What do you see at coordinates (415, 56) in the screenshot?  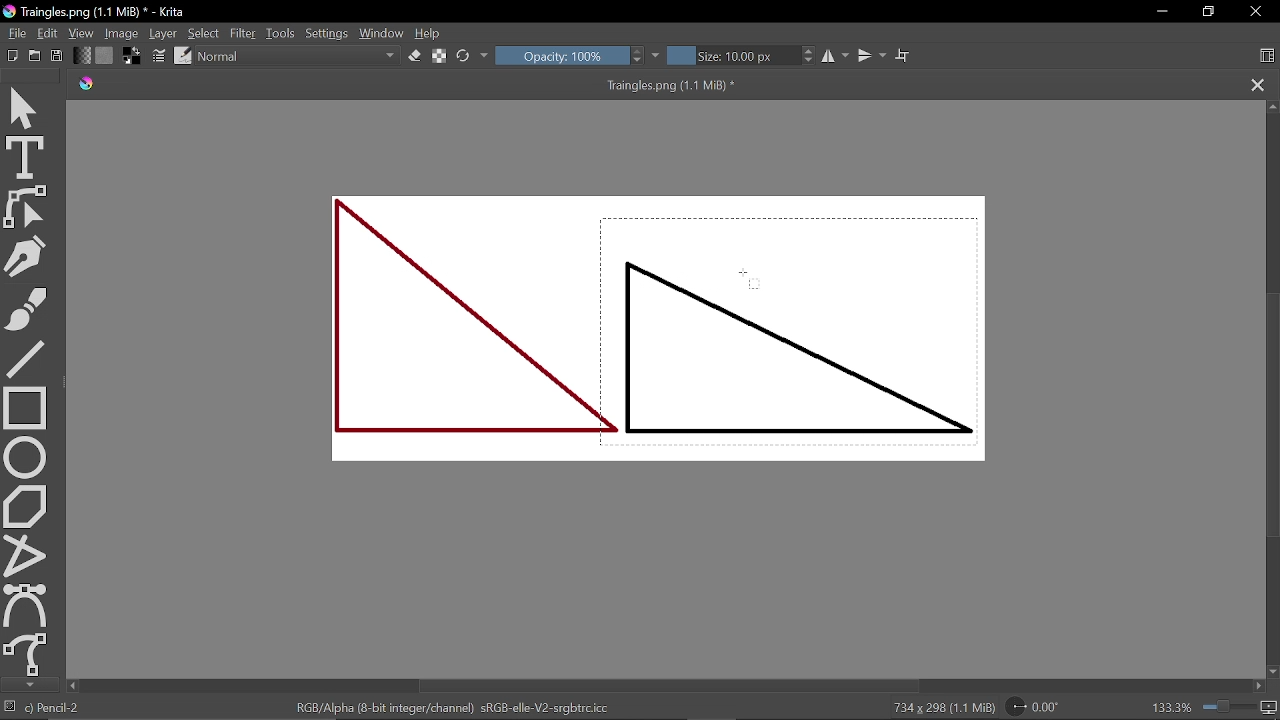 I see `Eraser` at bounding box center [415, 56].